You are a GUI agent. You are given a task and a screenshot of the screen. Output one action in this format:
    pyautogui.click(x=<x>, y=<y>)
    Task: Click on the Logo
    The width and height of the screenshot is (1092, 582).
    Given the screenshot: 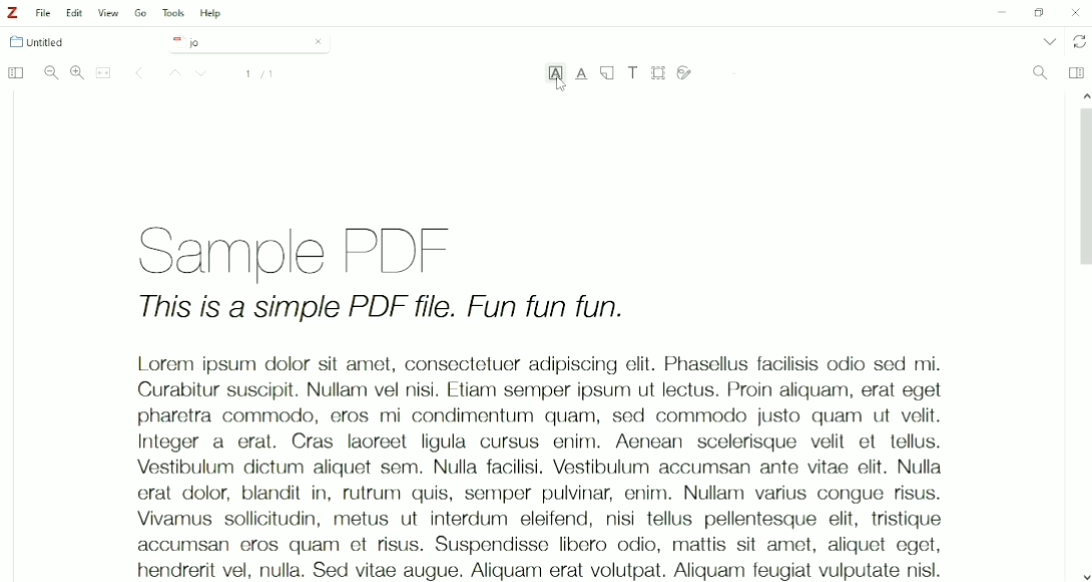 What is the action you would take?
    pyautogui.click(x=12, y=13)
    